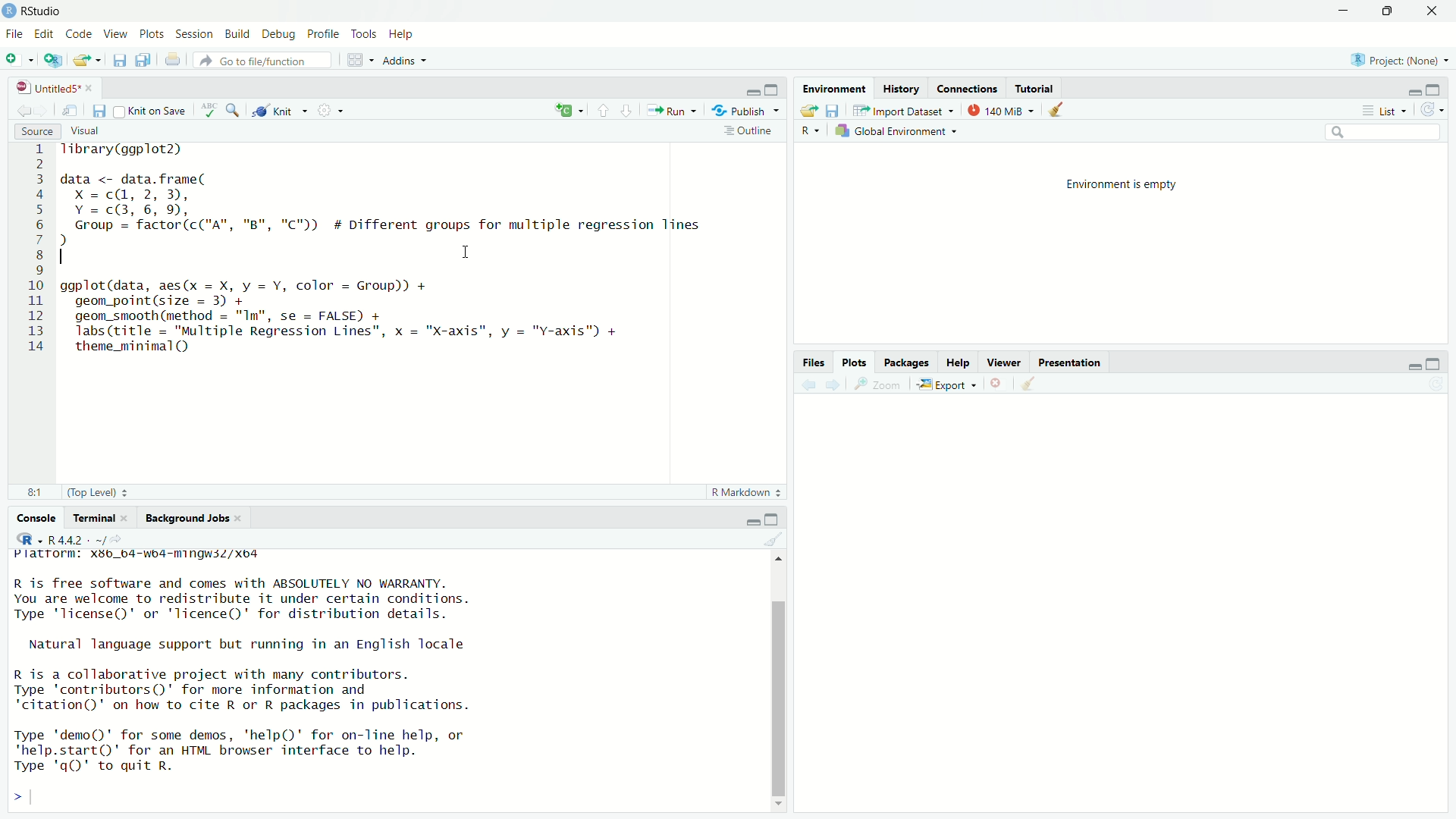 The height and width of the screenshot is (819, 1456). I want to click on View, so click(115, 35).